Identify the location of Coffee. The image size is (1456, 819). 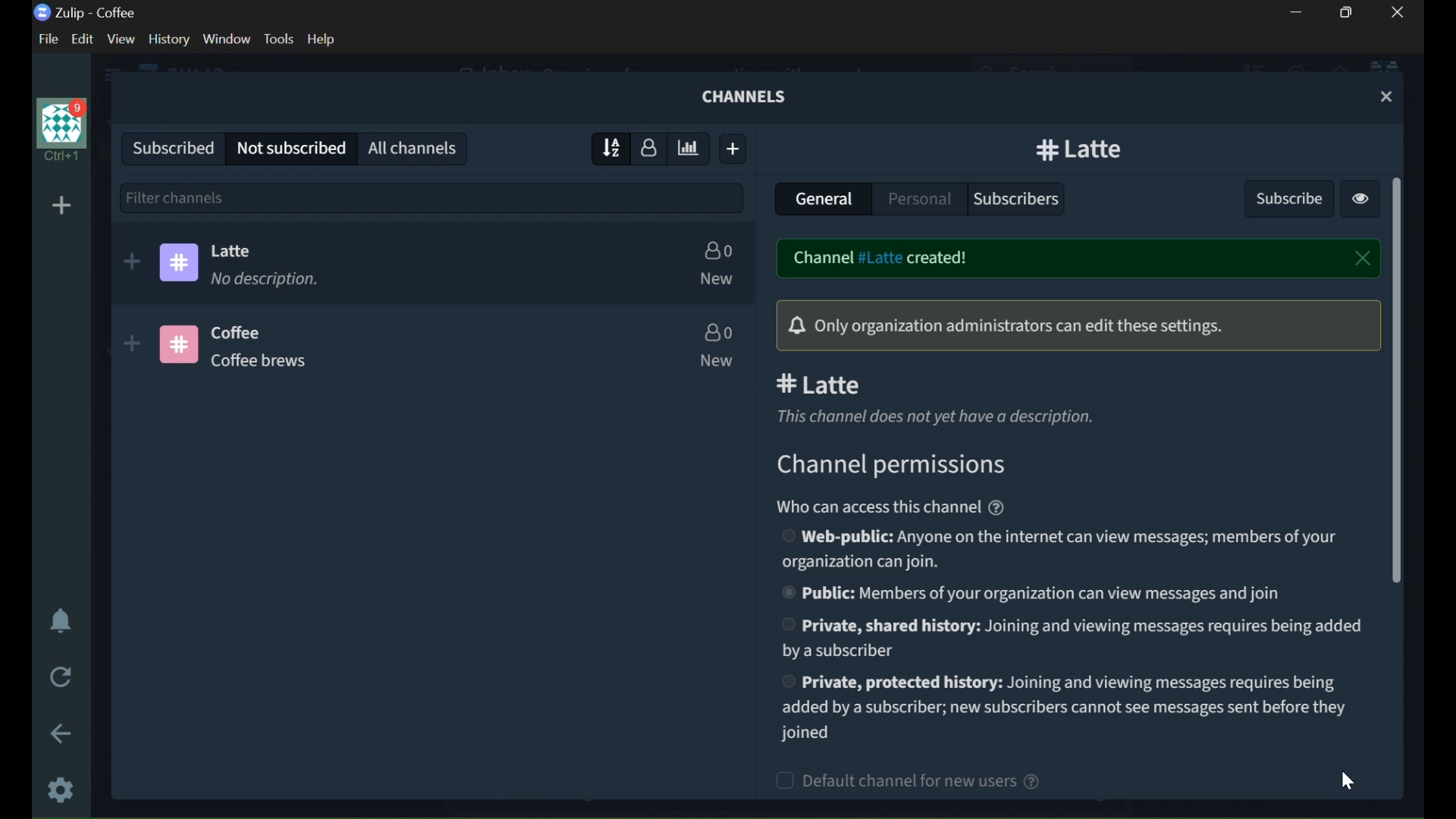
(242, 334).